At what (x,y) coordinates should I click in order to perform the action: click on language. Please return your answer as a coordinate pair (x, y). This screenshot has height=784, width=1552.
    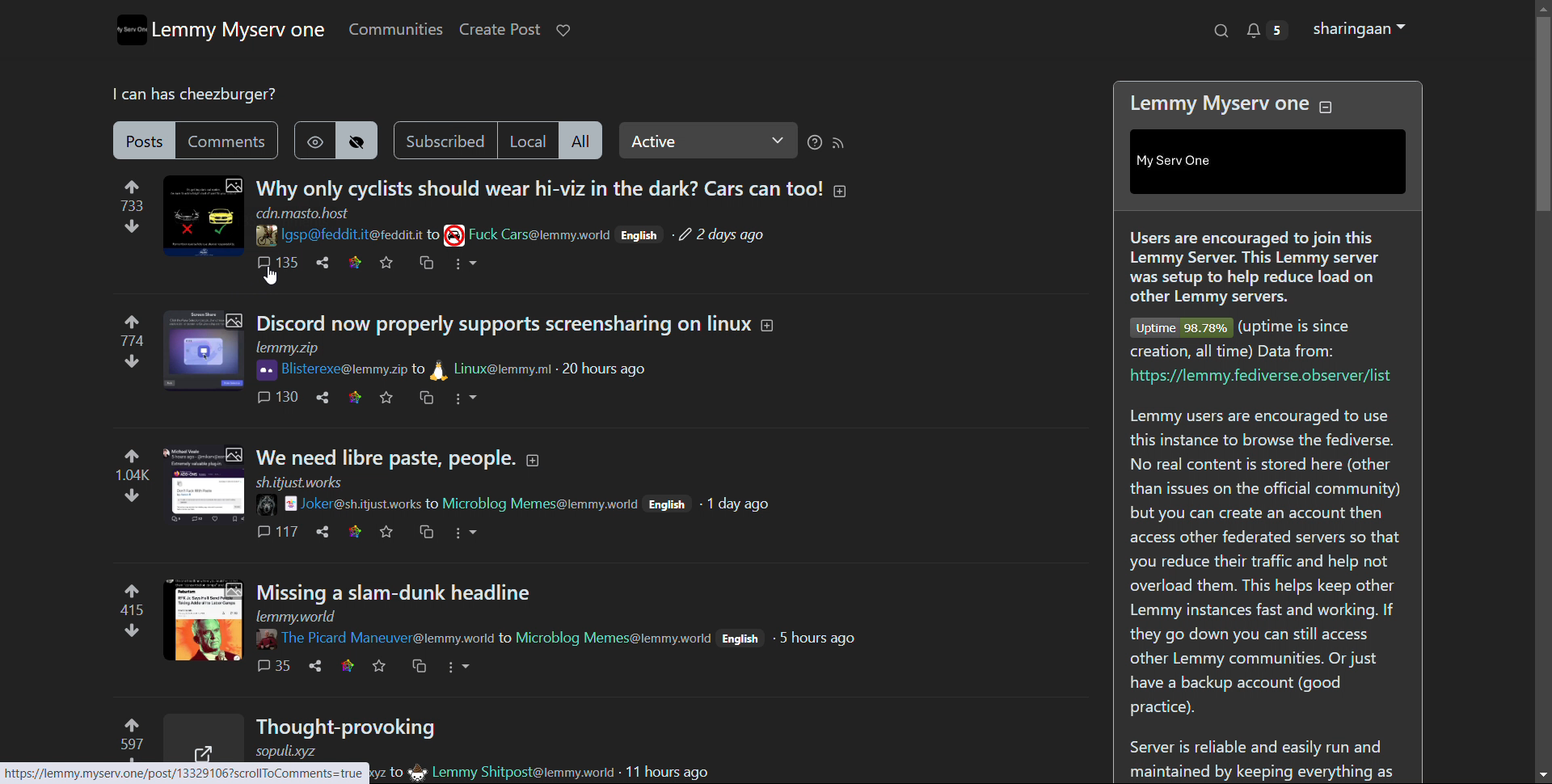
    Looking at the image, I should click on (642, 234).